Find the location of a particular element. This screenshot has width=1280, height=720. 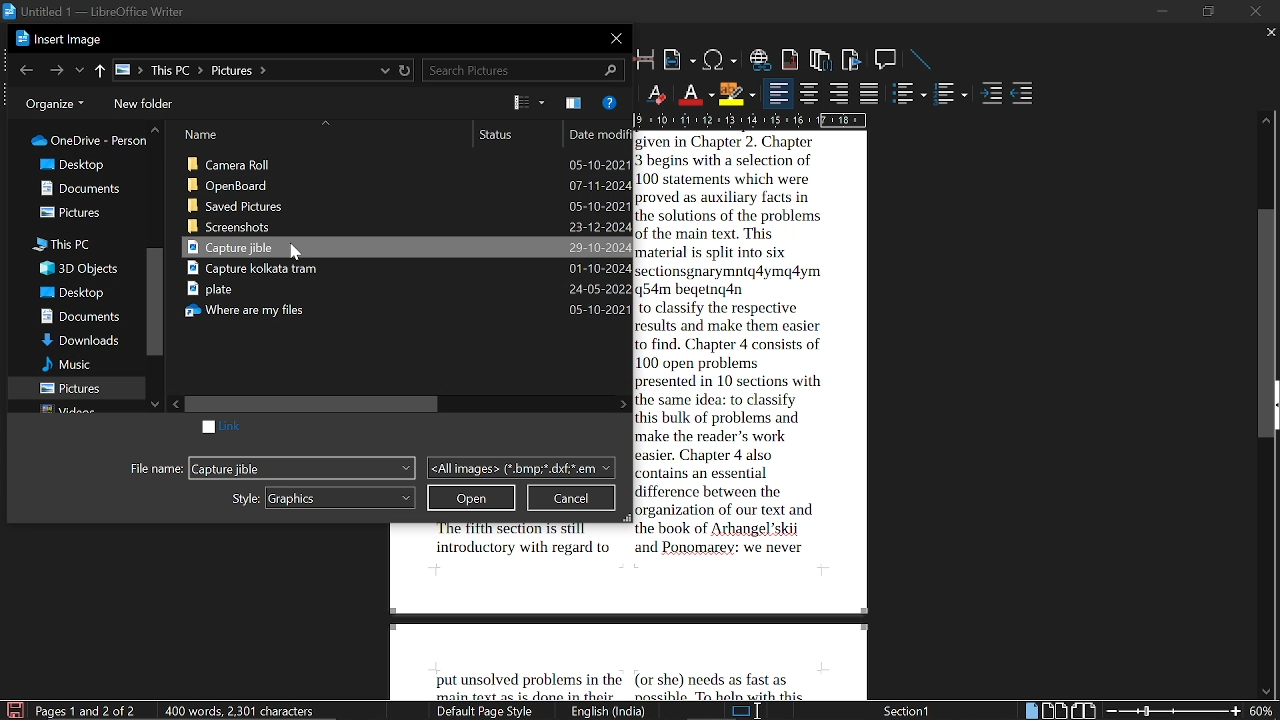

help is located at coordinates (607, 104).